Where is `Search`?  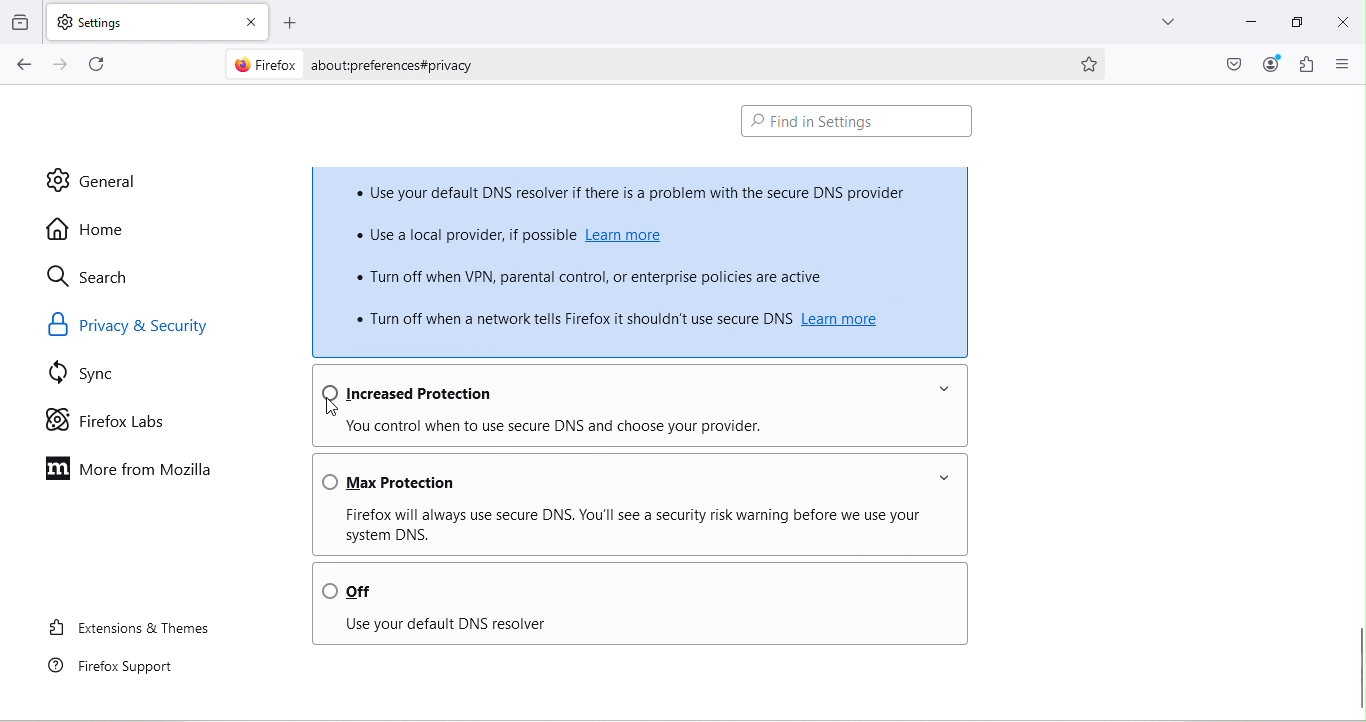
Search is located at coordinates (94, 278).